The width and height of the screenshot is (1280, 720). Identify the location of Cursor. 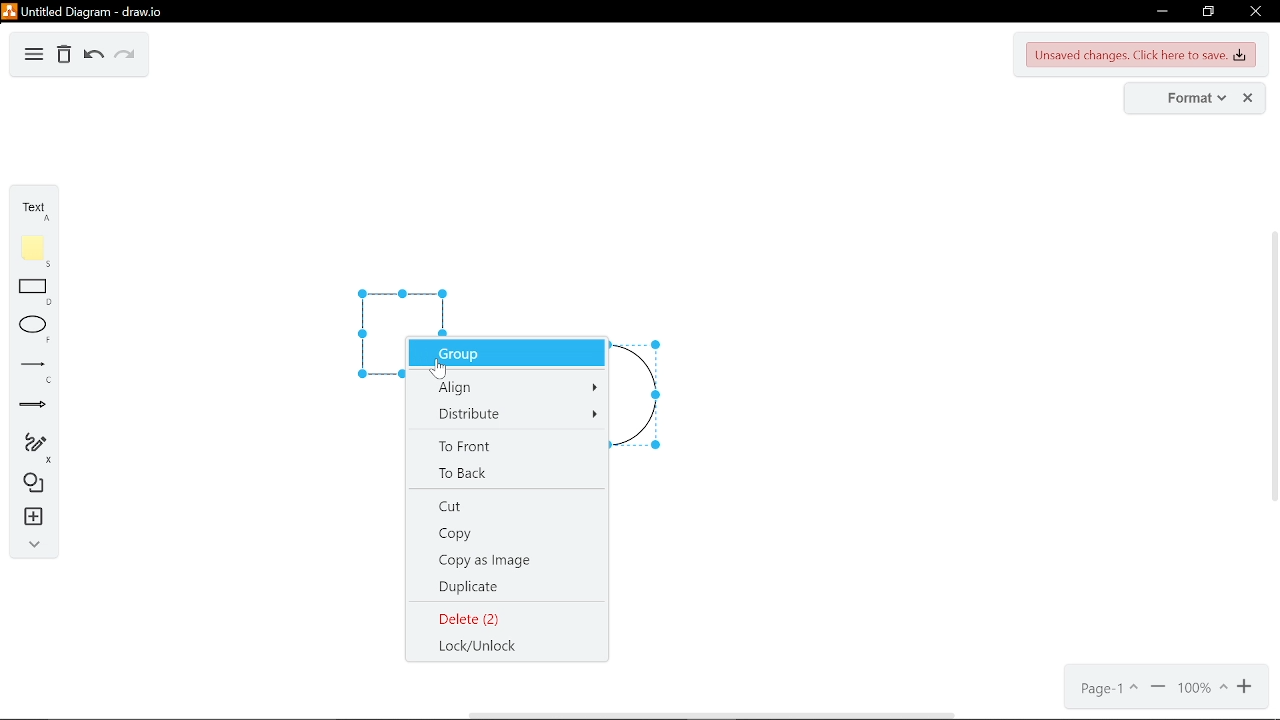
(440, 371).